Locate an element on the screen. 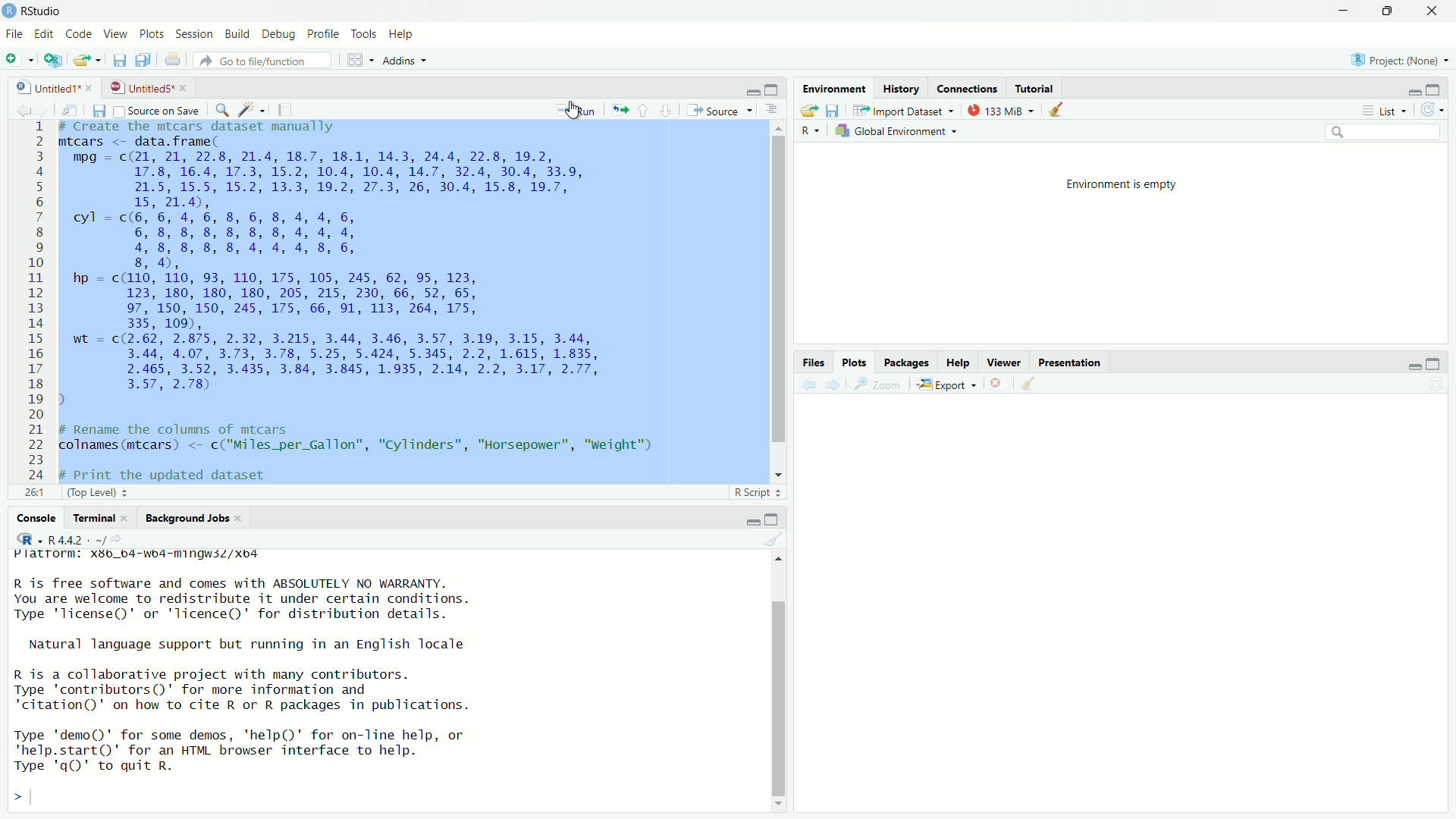  clear is located at coordinates (773, 538).